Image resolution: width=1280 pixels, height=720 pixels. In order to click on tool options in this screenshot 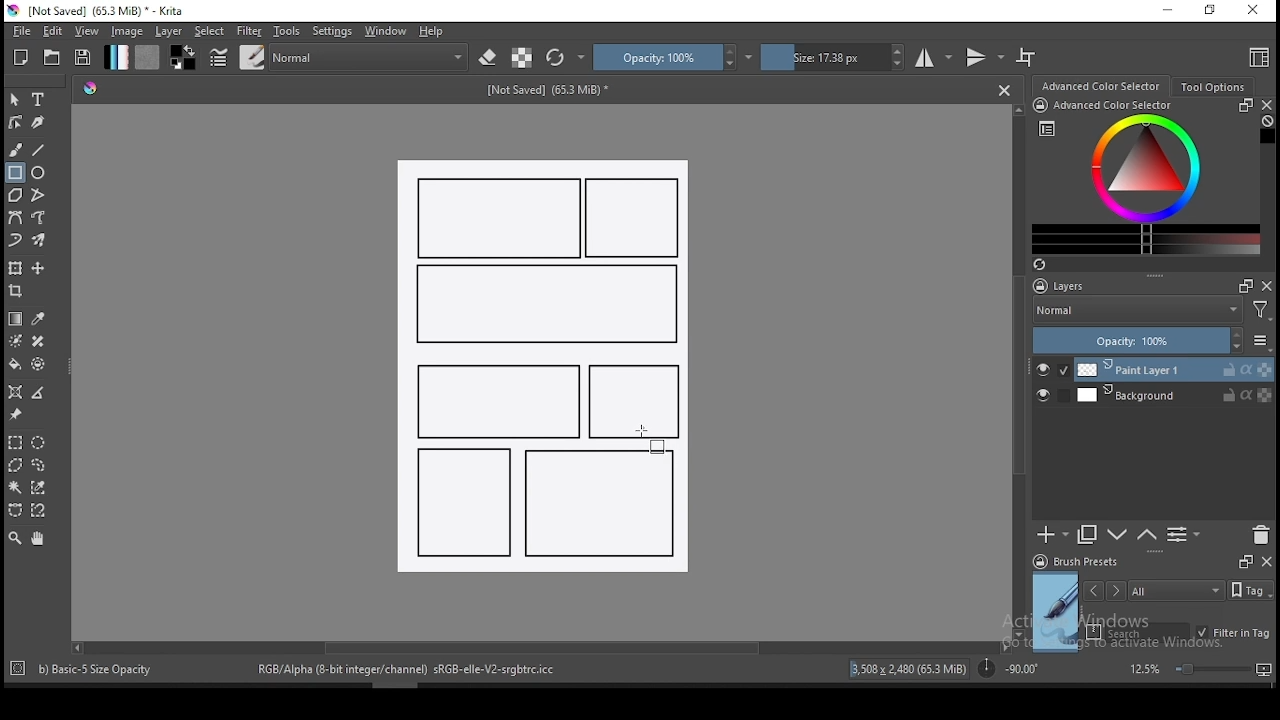, I will do `click(1214, 87)`.